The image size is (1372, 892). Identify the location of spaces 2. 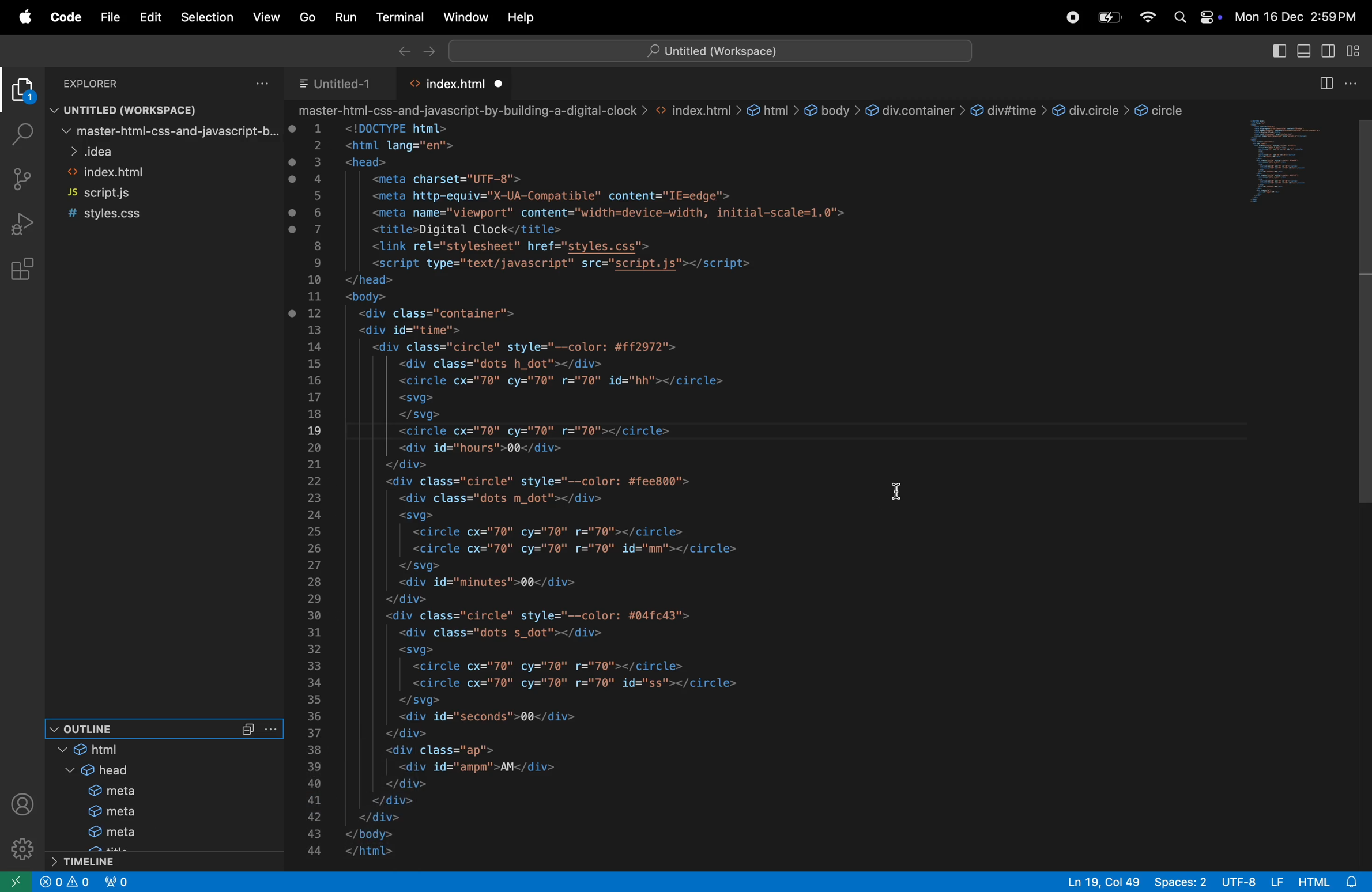
(1181, 882).